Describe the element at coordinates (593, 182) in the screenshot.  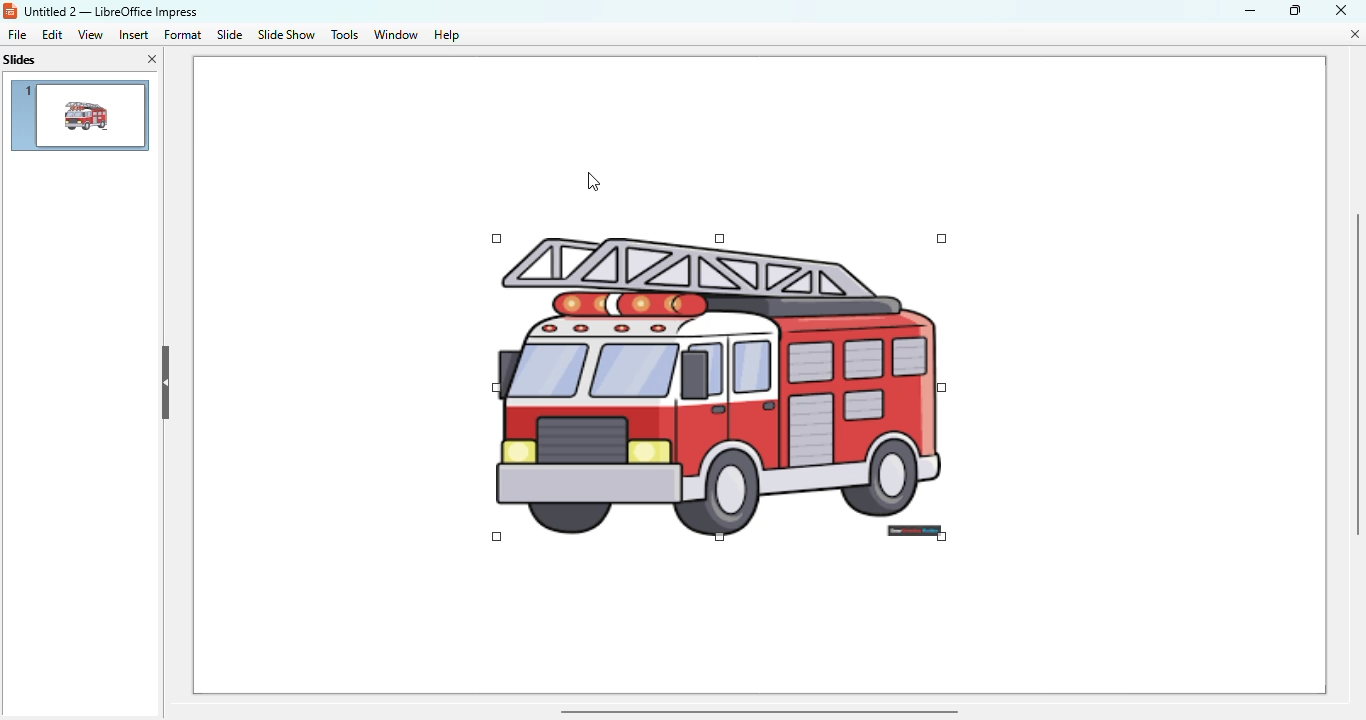
I see `cursor` at that location.